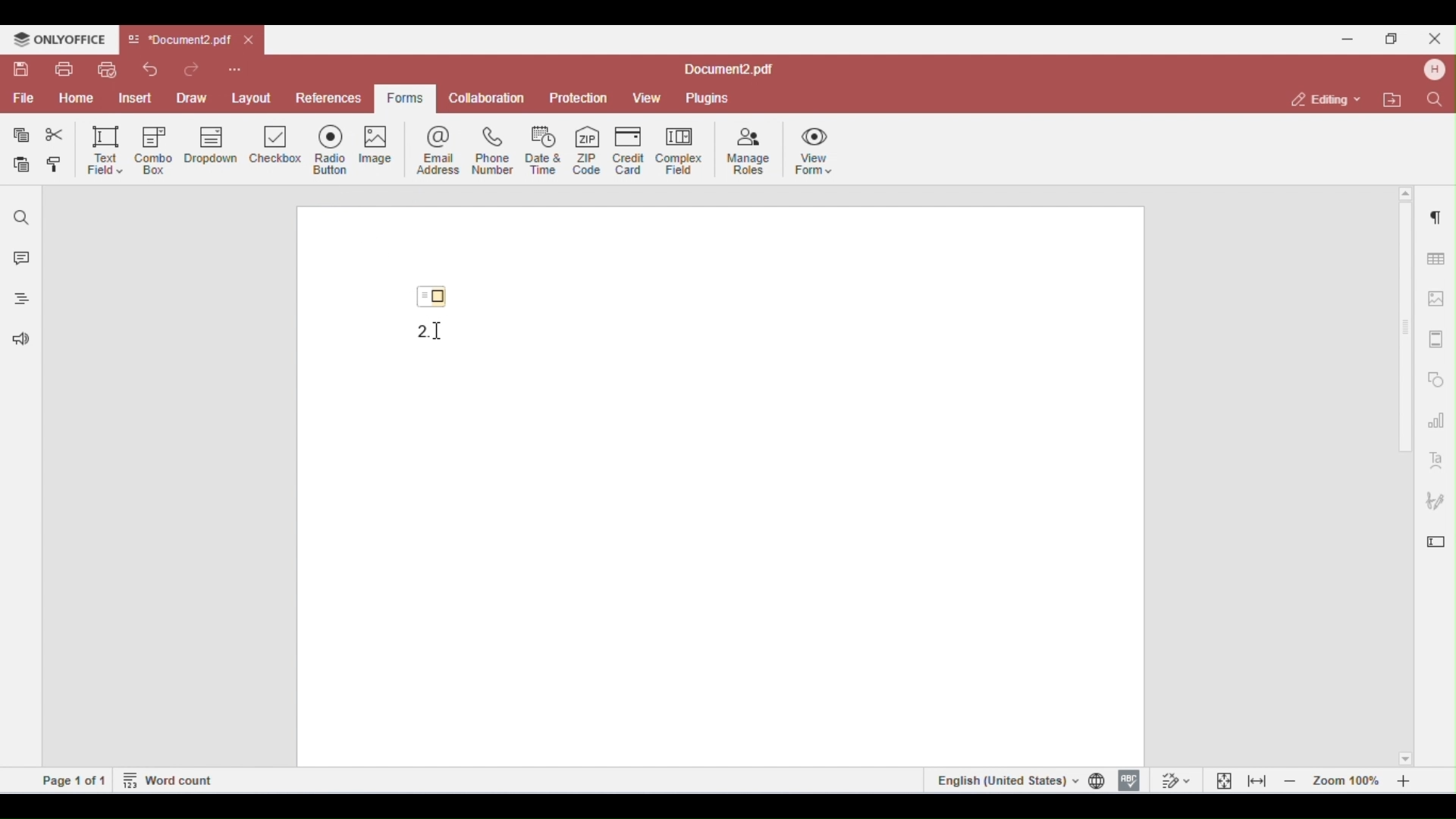 This screenshot has height=819, width=1456. I want to click on text settings, so click(1436, 459).